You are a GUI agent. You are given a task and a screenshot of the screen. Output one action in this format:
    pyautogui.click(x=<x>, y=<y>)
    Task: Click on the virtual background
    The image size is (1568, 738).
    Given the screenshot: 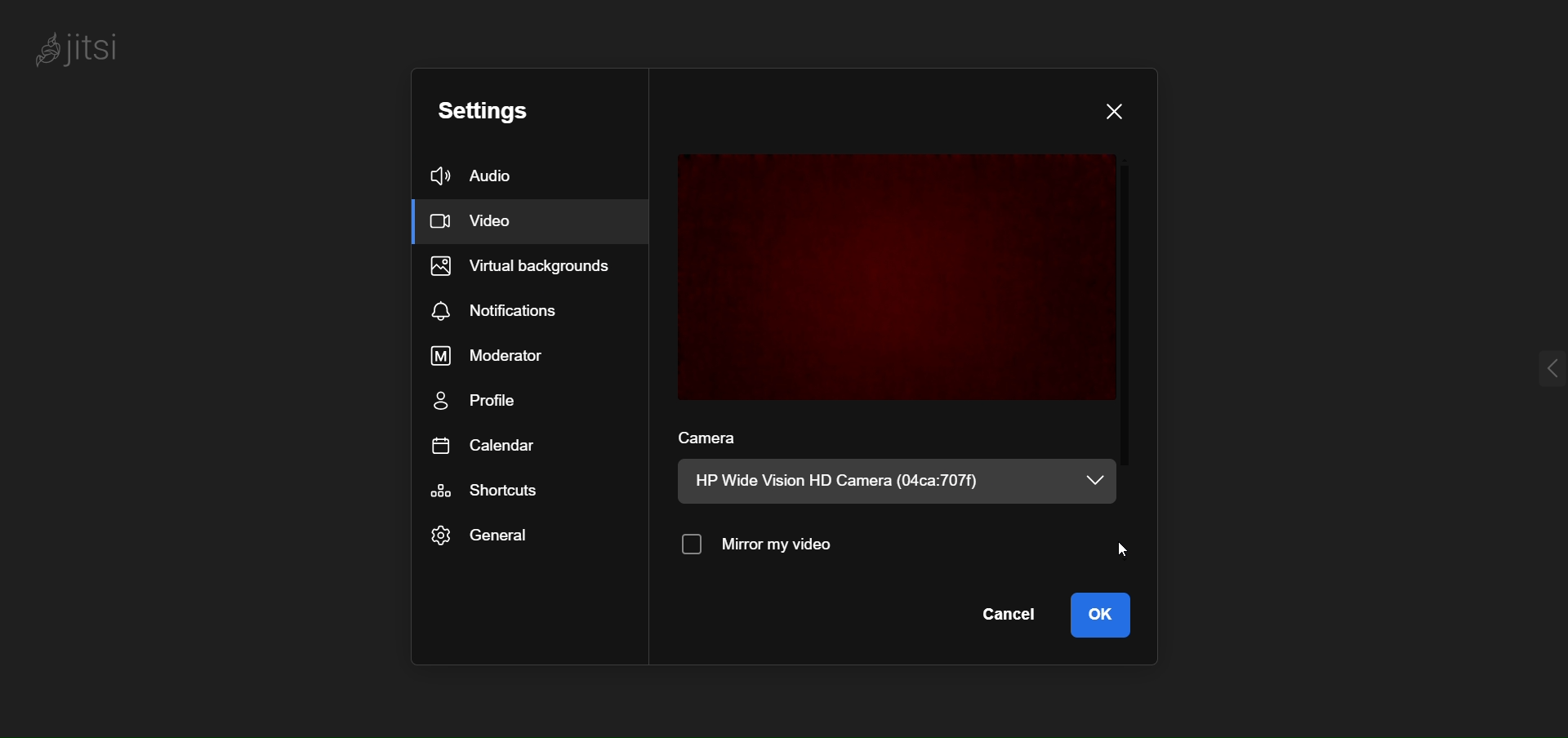 What is the action you would take?
    pyautogui.click(x=530, y=269)
    